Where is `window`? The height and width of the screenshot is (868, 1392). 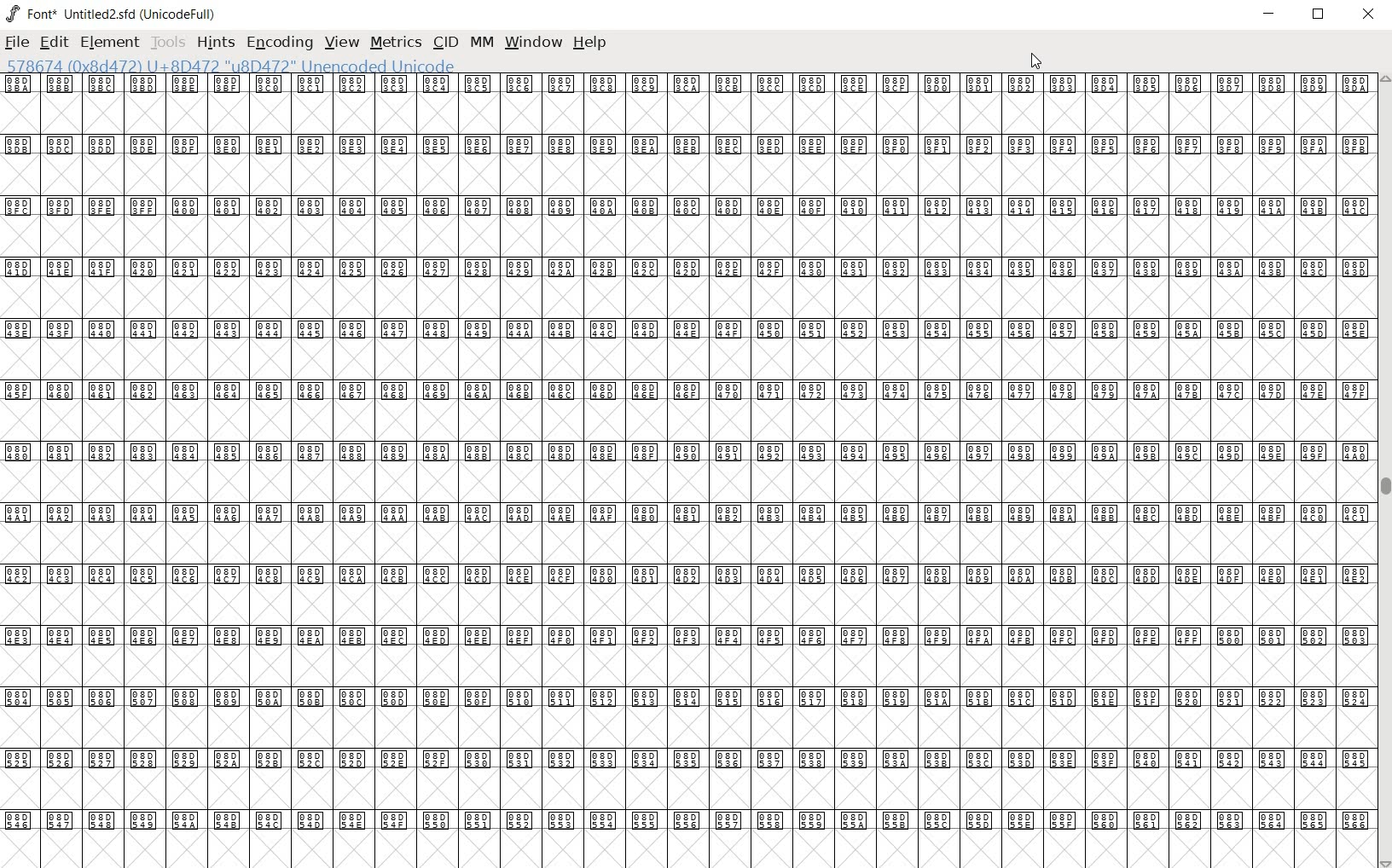
window is located at coordinates (535, 43).